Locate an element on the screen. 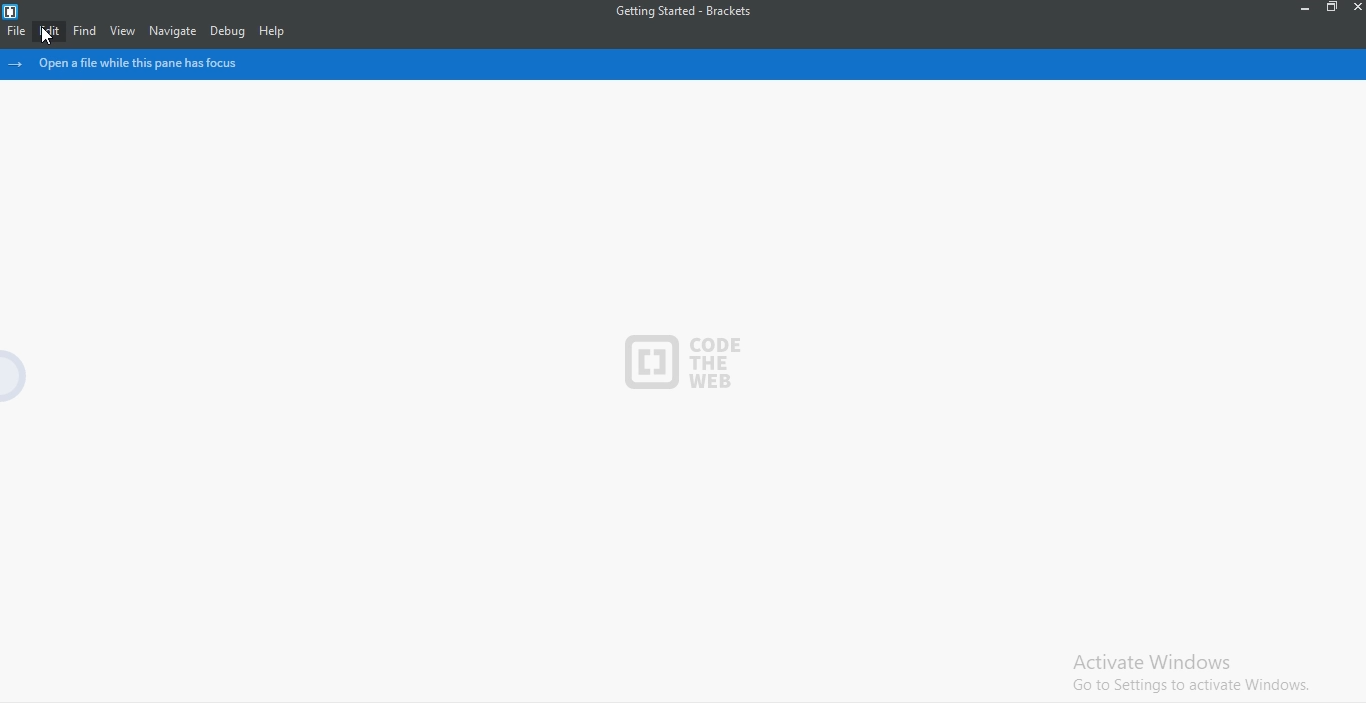 This screenshot has height=724, width=1366. file pane is located at coordinates (683, 65).